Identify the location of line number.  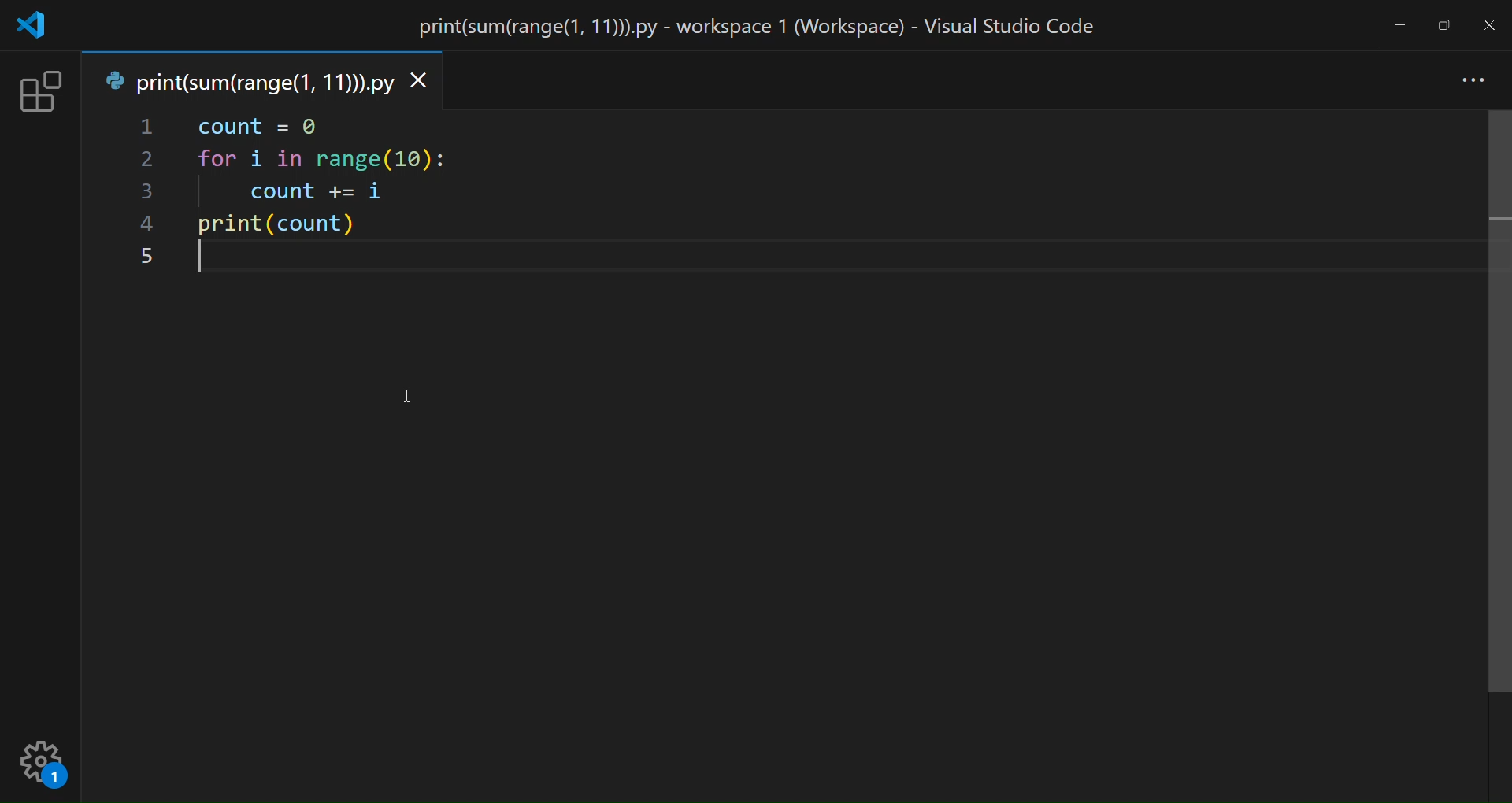
(146, 193).